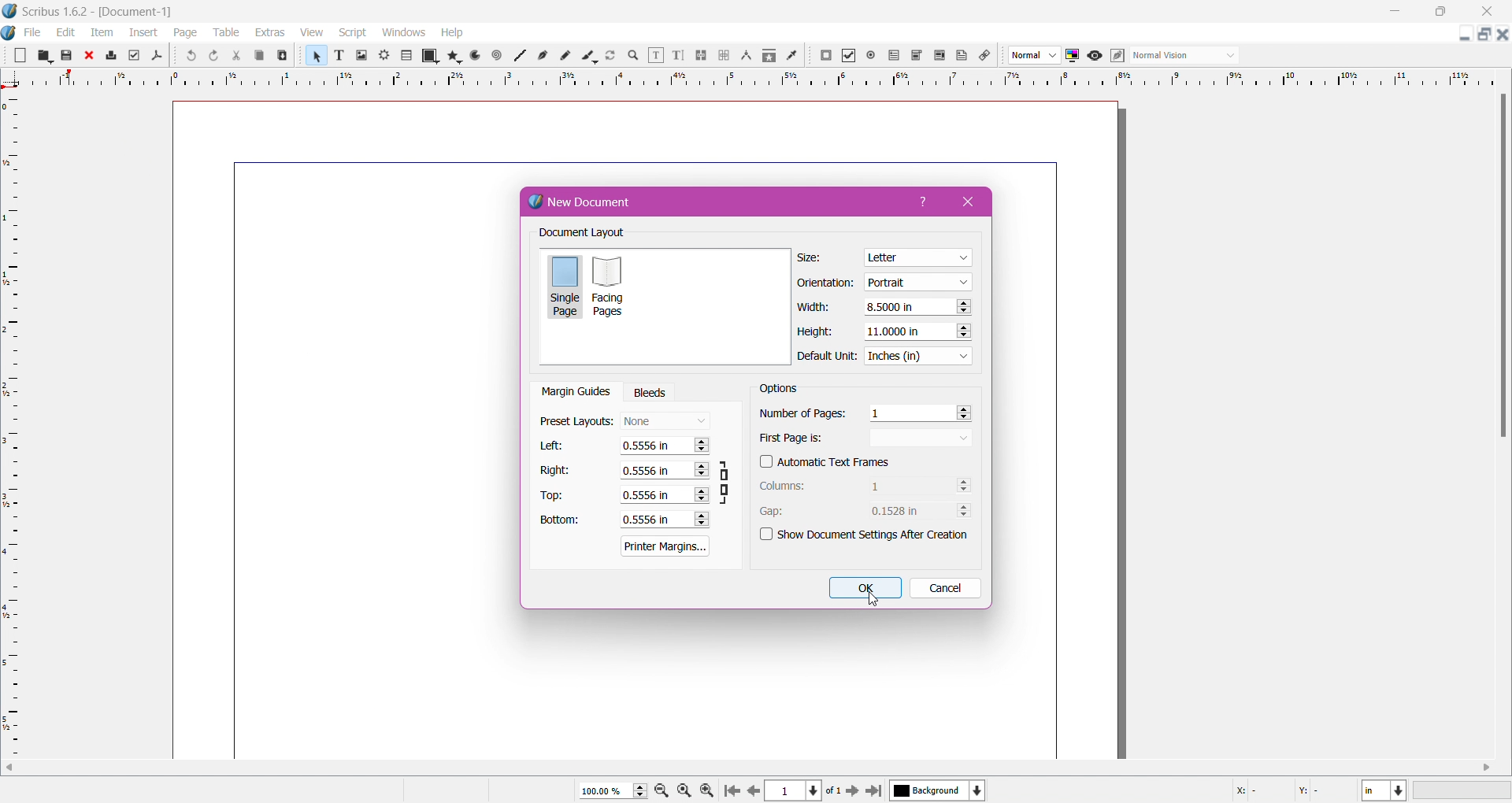 Image resolution: width=1512 pixels, height=803 pixels. I want to click on select, so click(313, 55).